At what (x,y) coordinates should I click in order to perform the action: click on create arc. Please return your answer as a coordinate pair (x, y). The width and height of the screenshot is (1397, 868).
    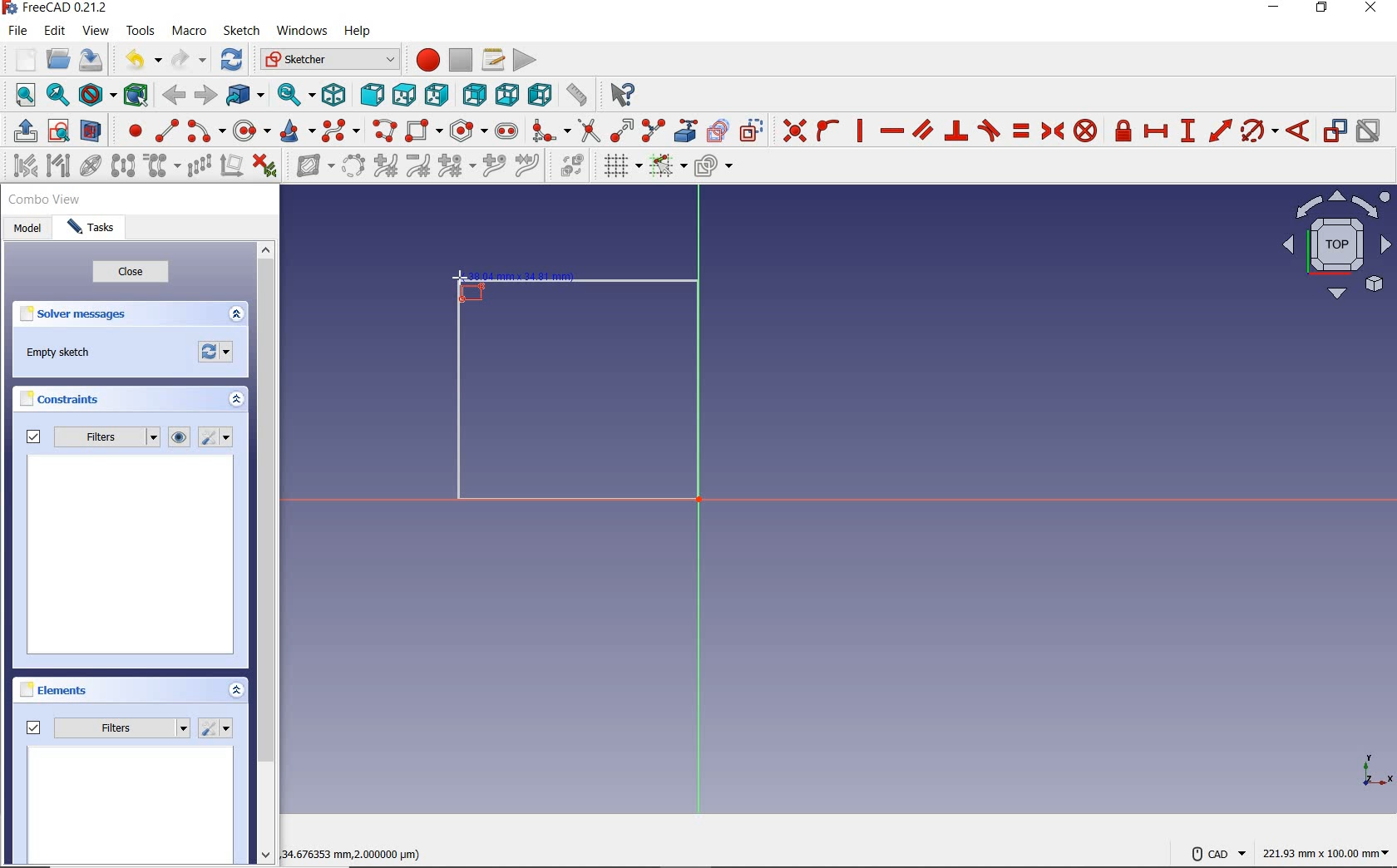
    Looking at the image, I should click on (205, 132).